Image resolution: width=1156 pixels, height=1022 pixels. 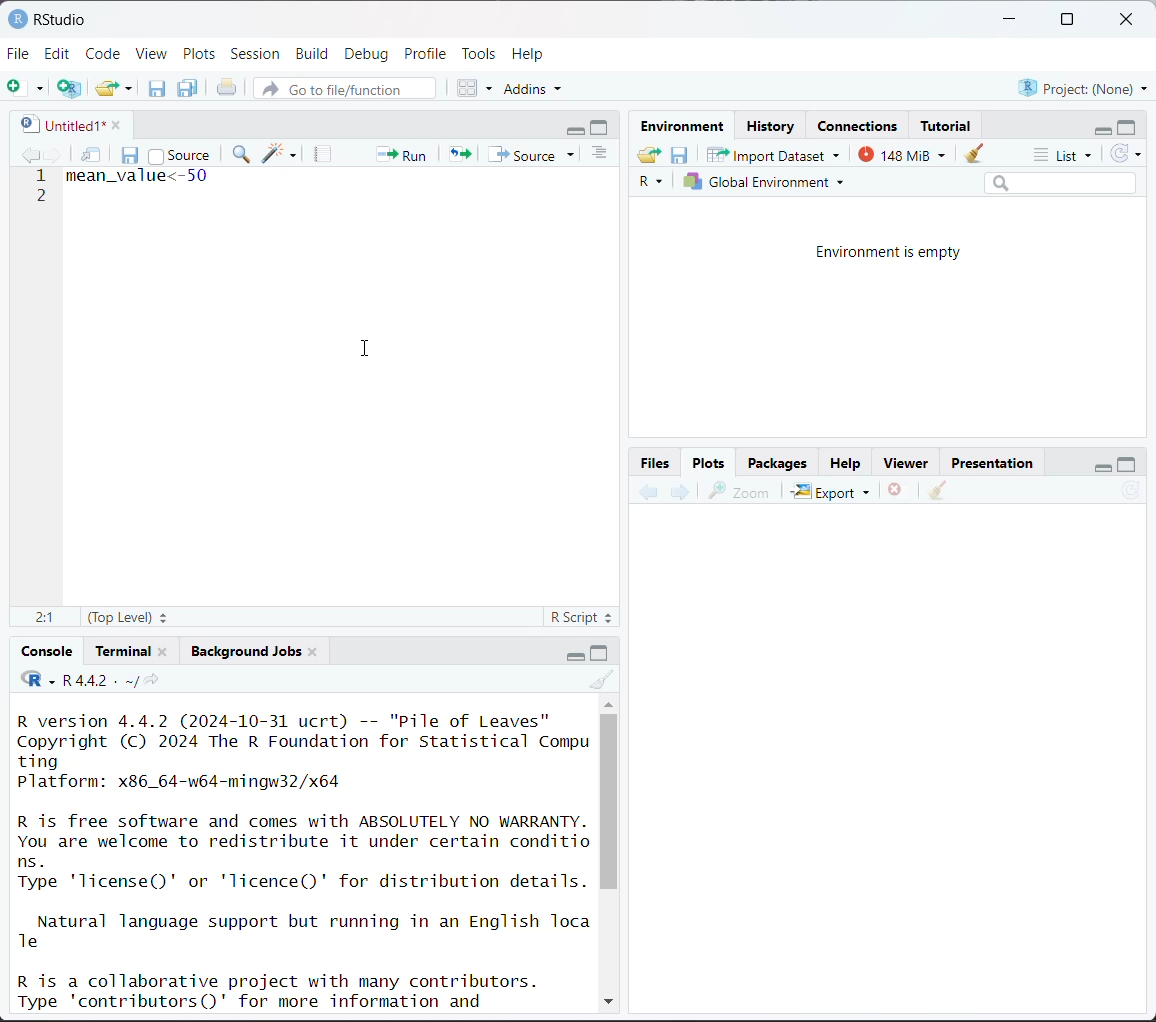 What do you see at coordinates (228, 88) in the screenshot?
I see `print the current file` at bounding box center [228, 88].